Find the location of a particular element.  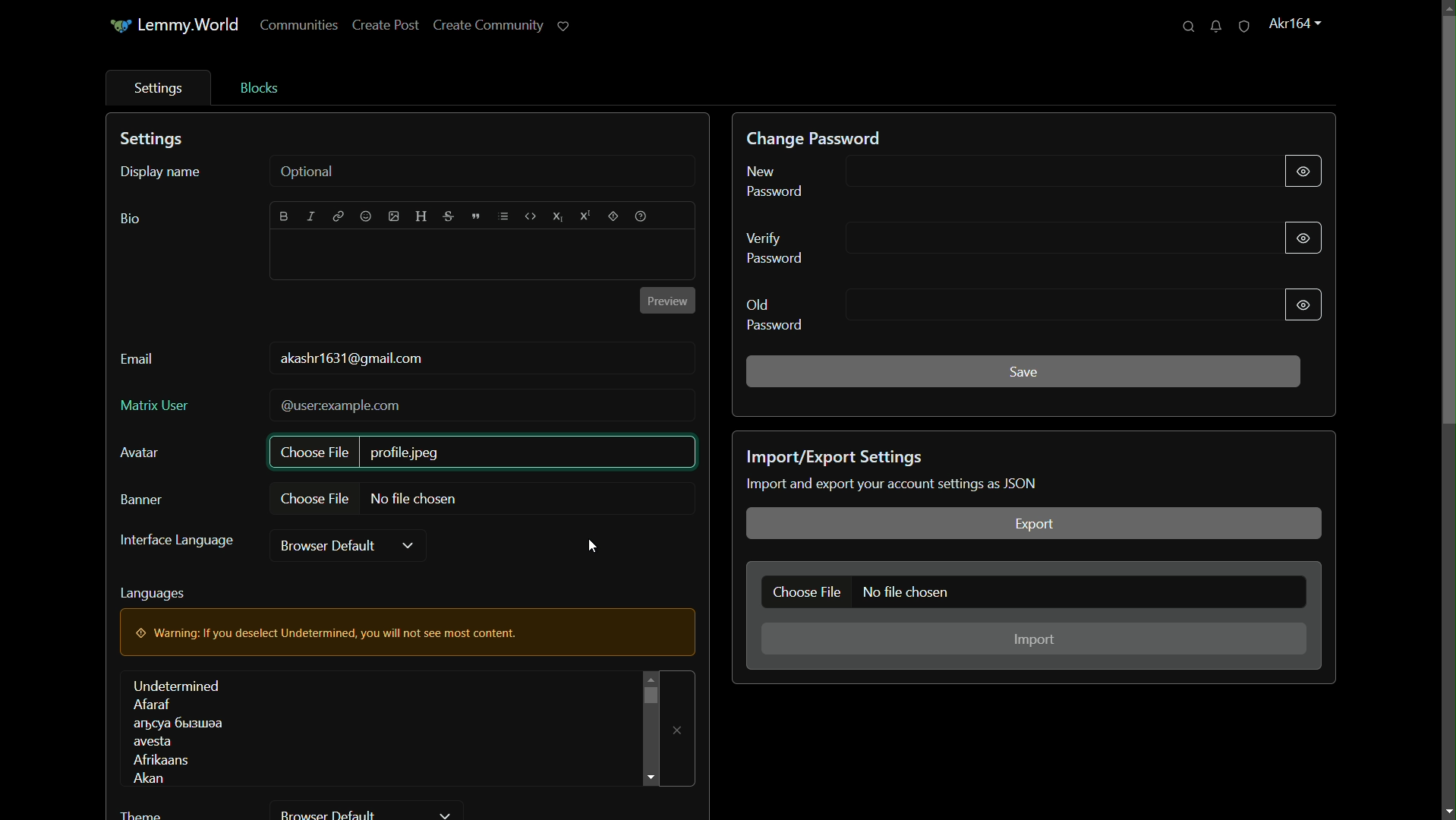

profile.jpeg is located at coordinates (408, 453).